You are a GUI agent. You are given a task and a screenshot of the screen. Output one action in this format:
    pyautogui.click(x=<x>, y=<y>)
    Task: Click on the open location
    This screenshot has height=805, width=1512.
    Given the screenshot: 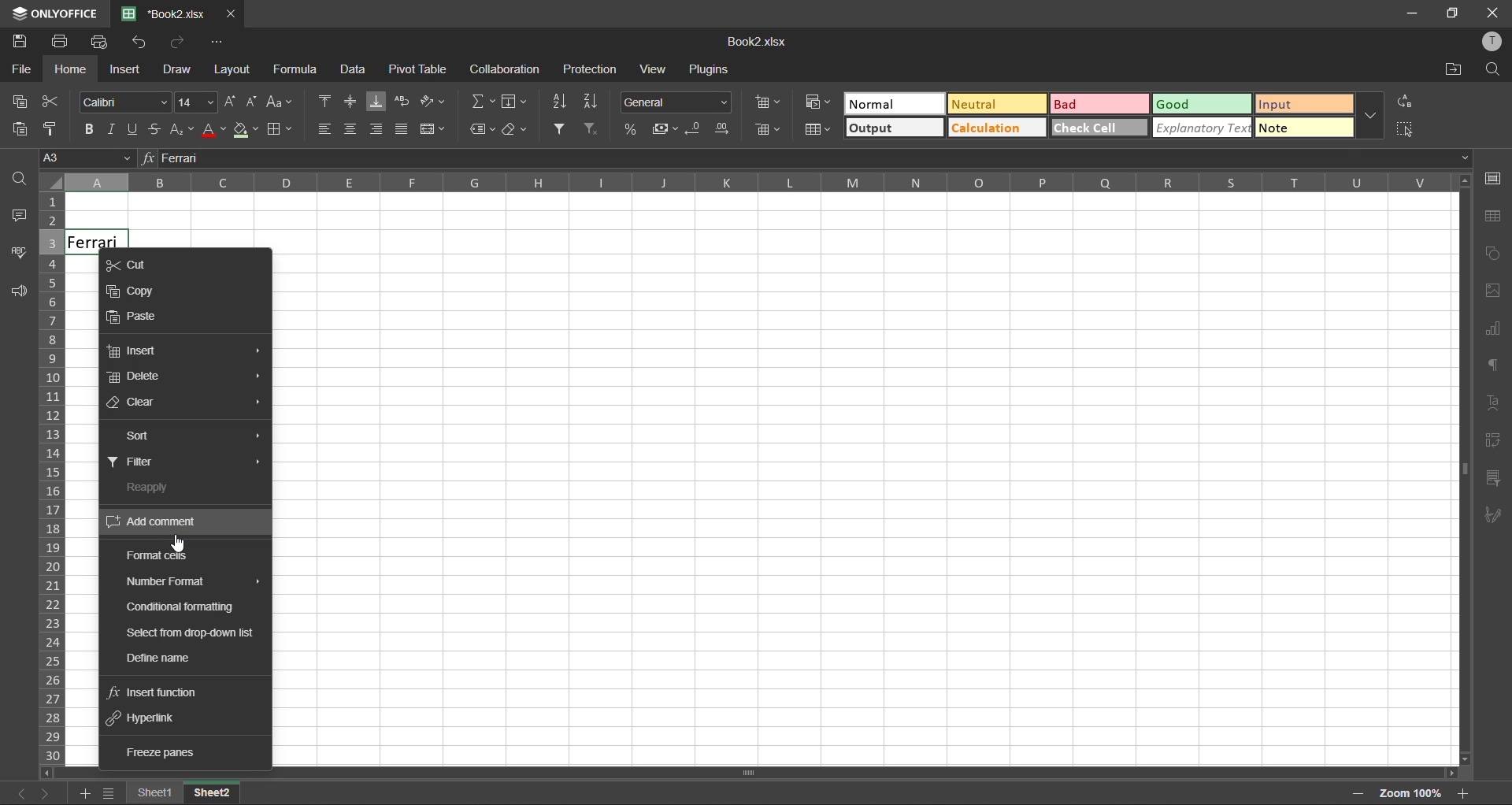 What is the action you would take?
    pyautogui.click(x=1455, y=70)
    